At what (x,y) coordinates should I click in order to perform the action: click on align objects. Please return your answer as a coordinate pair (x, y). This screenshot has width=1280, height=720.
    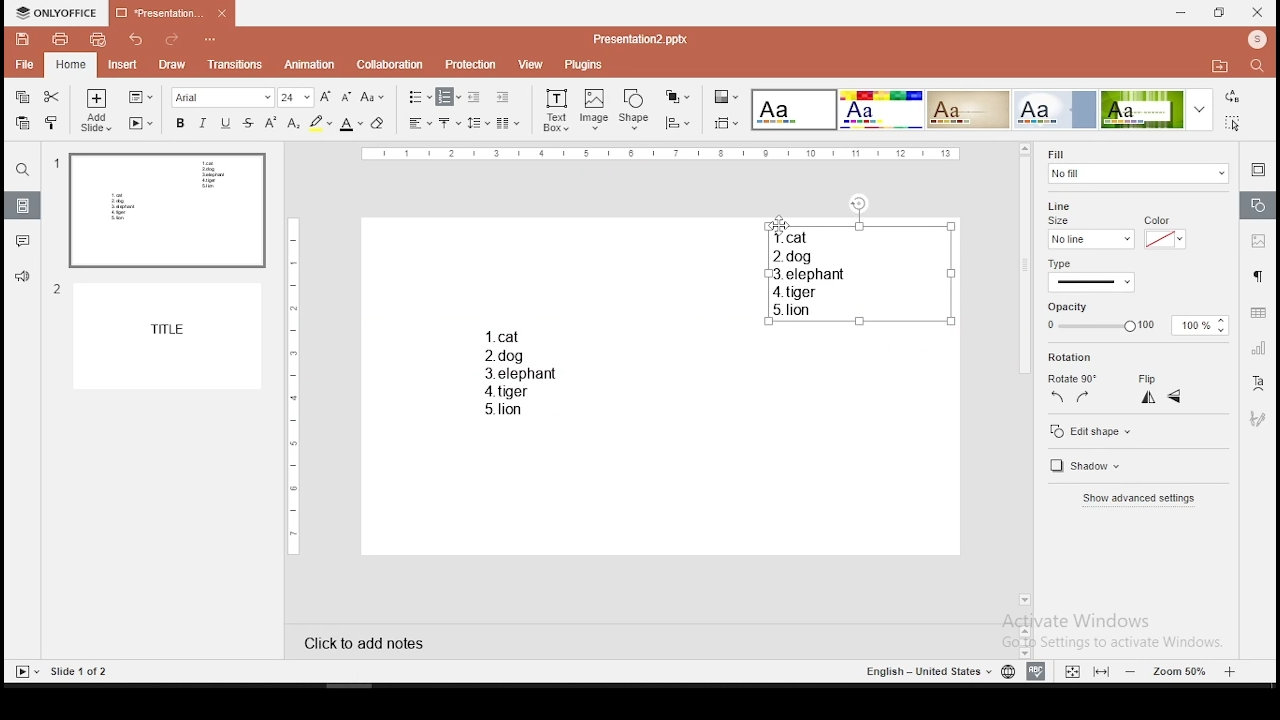
    Looking at the image, I should click on (676, 123).